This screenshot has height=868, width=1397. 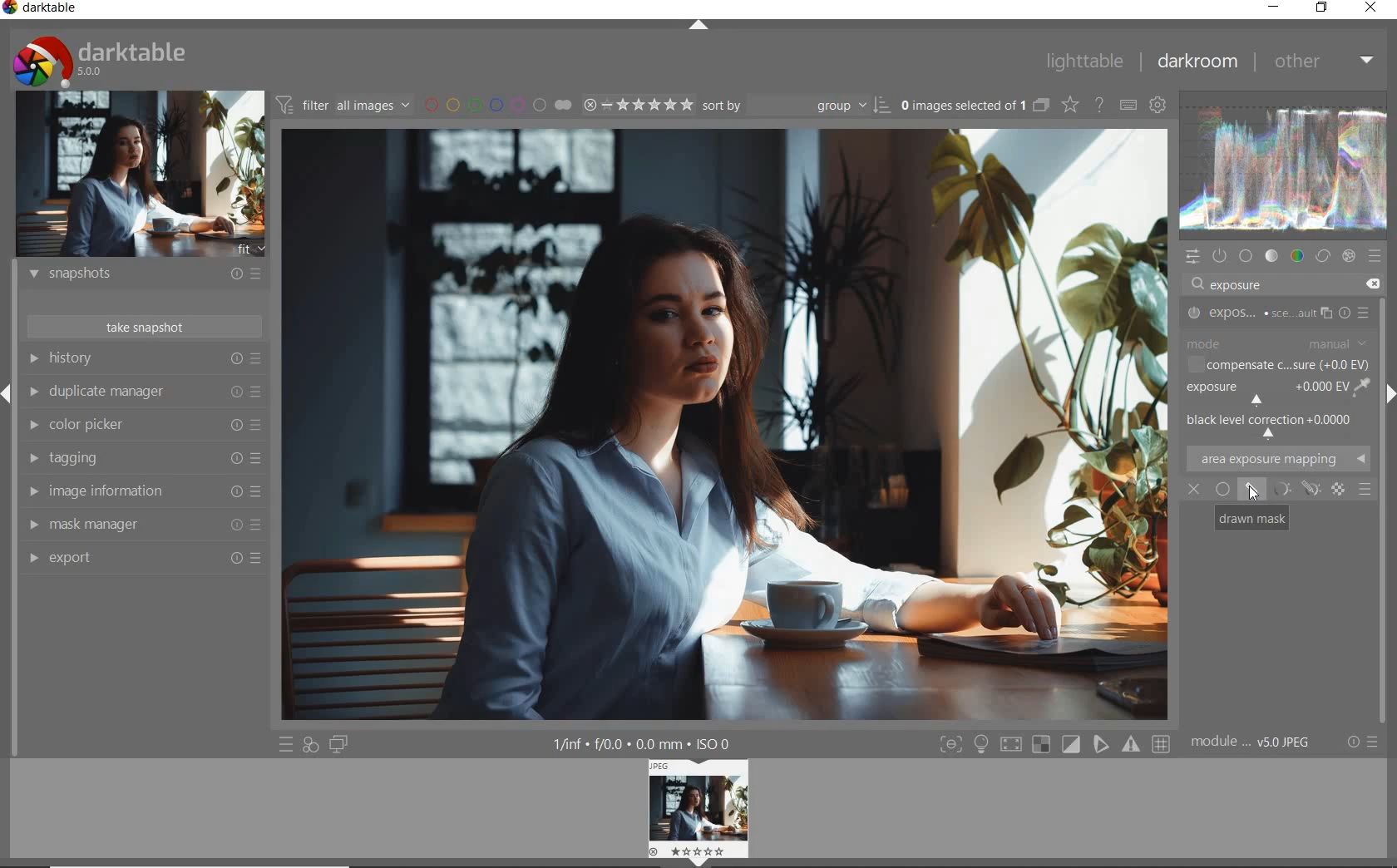 I want to click on effect, so click(x=1349, y=256).